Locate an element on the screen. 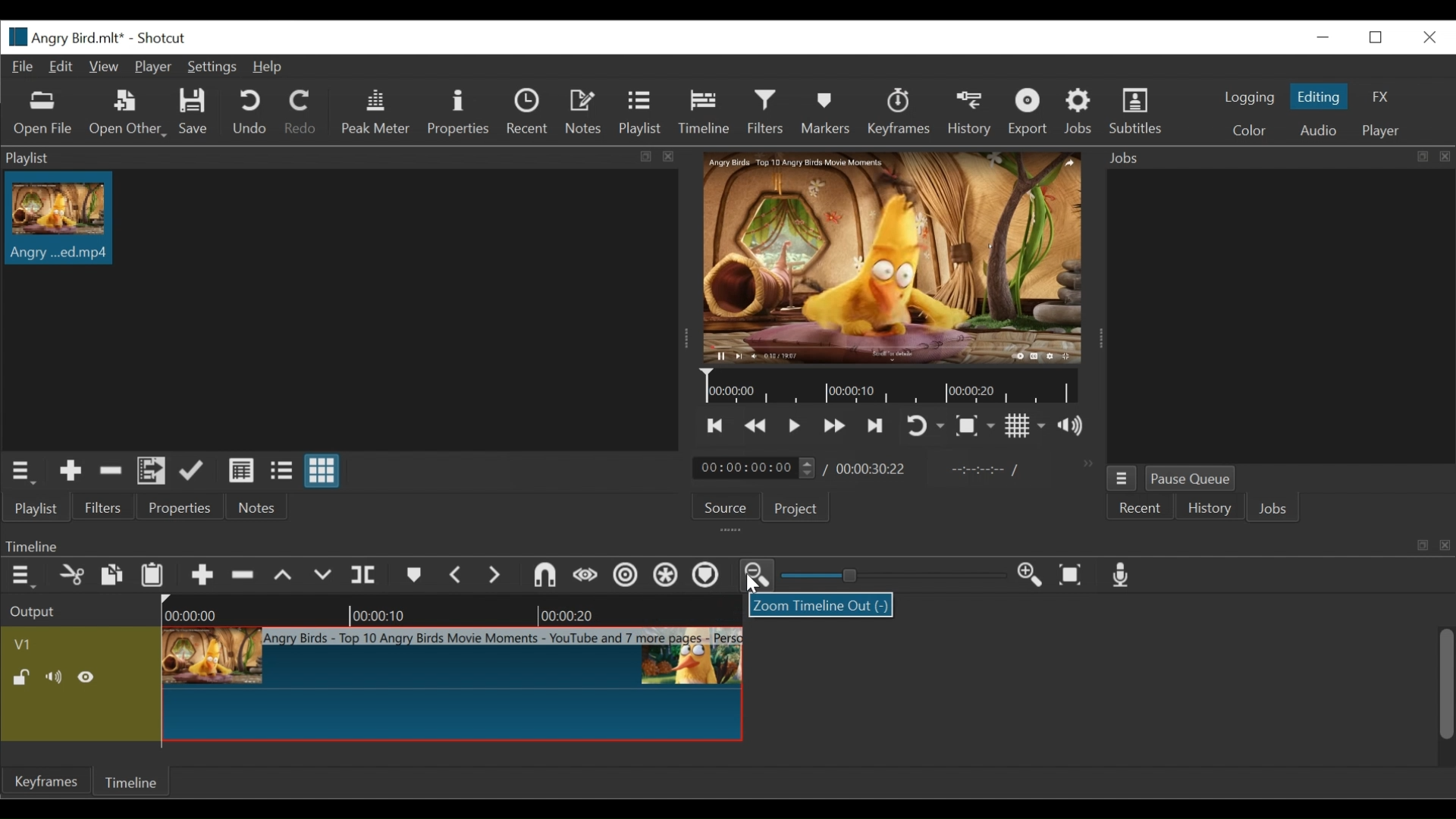 The height and width of the screenshot is (819, 1456). FX is located at coordinates (1384, 97).